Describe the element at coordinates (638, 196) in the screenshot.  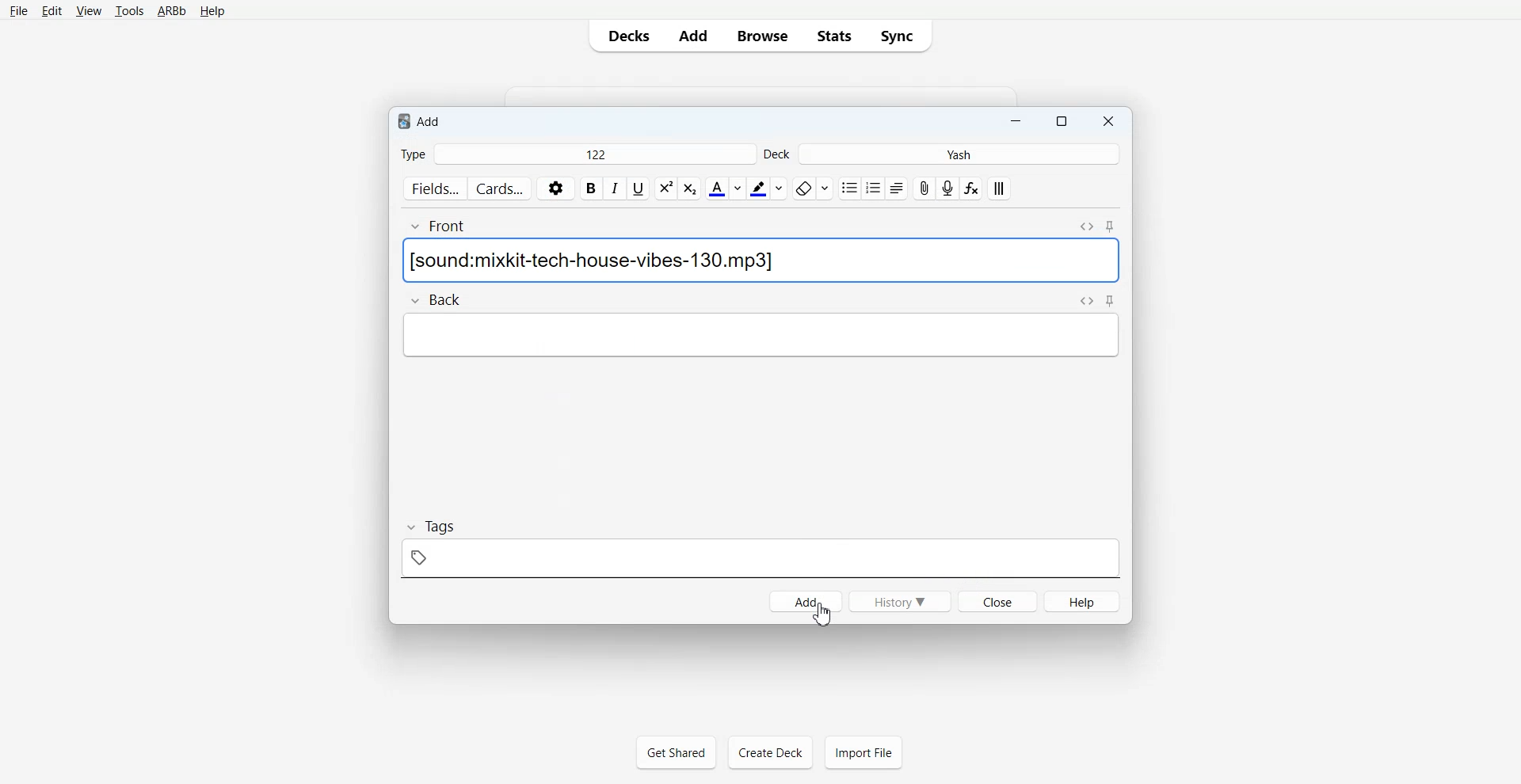
I see `underline` at that location.